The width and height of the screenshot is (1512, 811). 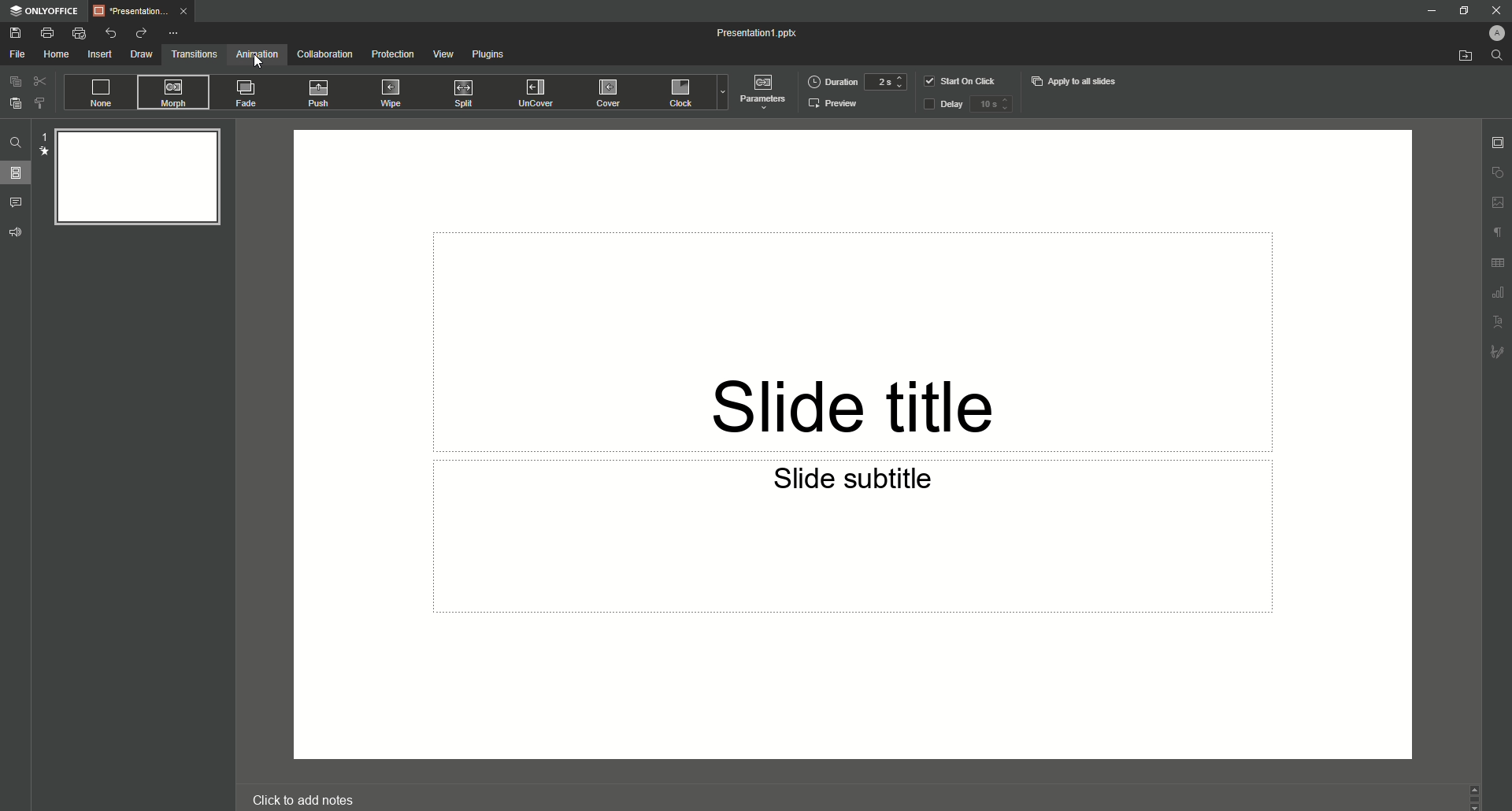 I want to click on Plugins, so click(x=487, y=54).